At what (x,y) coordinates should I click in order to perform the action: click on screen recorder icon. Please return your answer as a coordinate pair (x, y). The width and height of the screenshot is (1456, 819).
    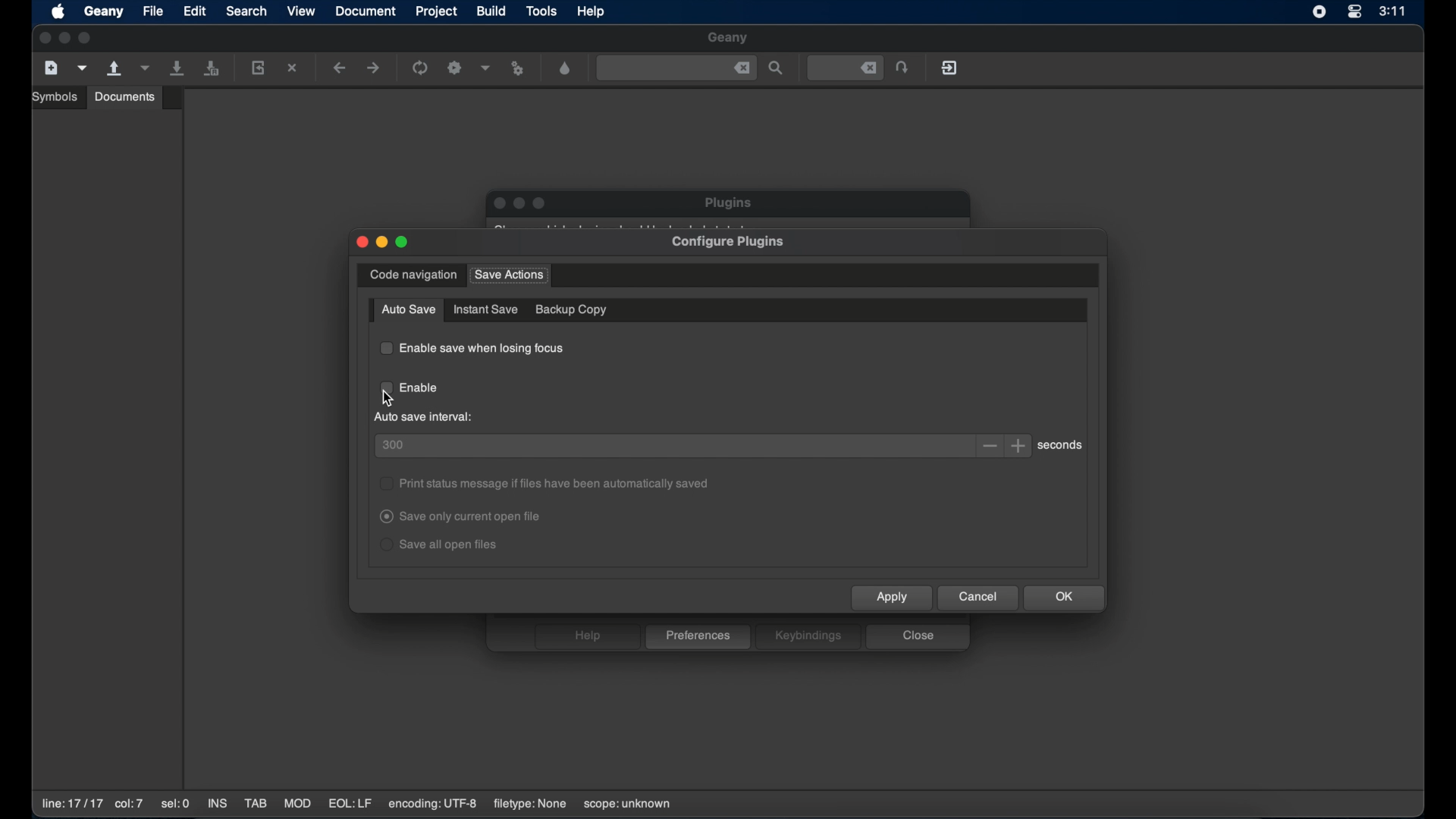
    Looking at the image, I should click on (1319, 12).